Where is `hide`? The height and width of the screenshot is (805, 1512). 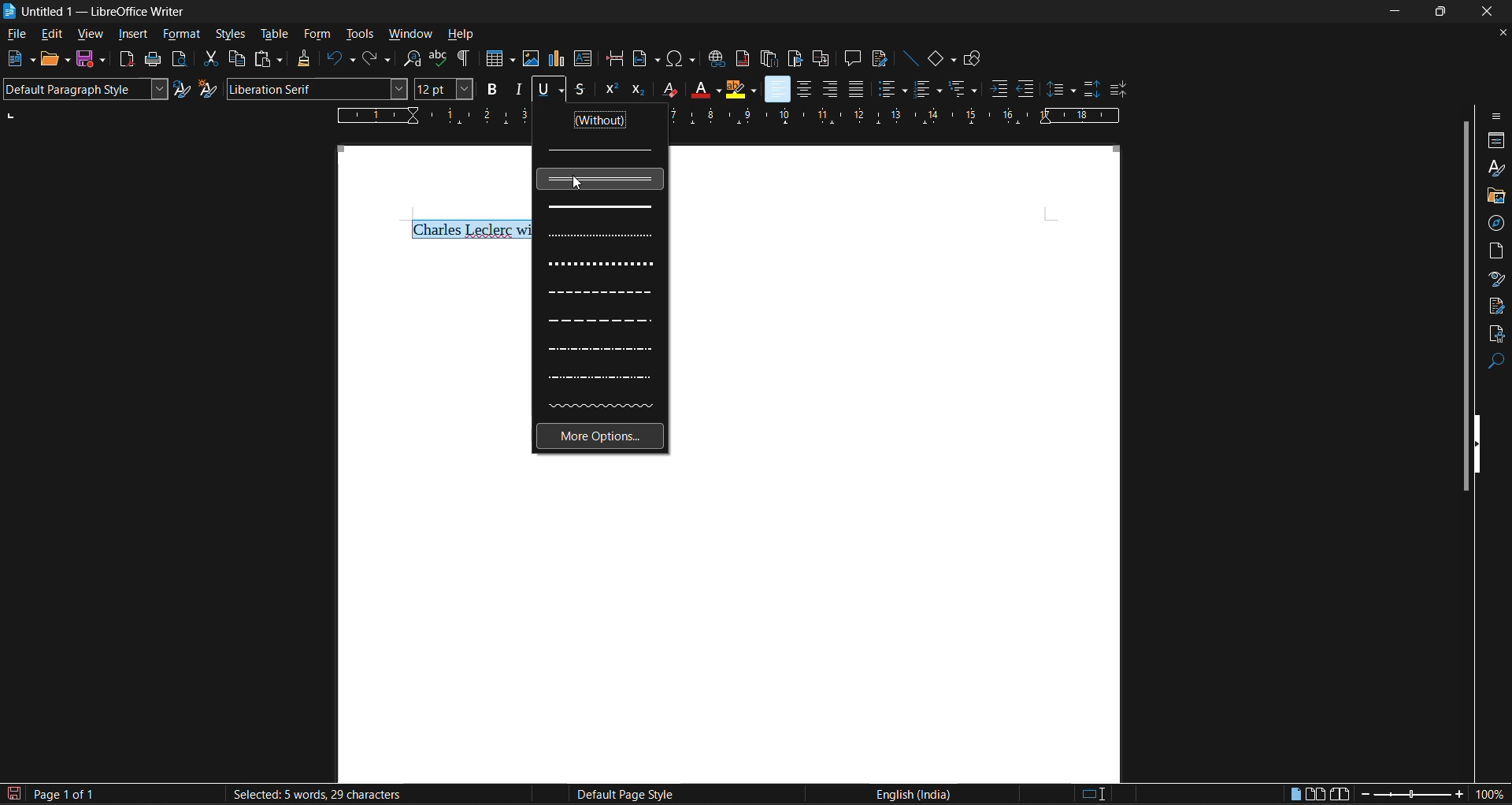 hide is located at coordinates (1481, 443).